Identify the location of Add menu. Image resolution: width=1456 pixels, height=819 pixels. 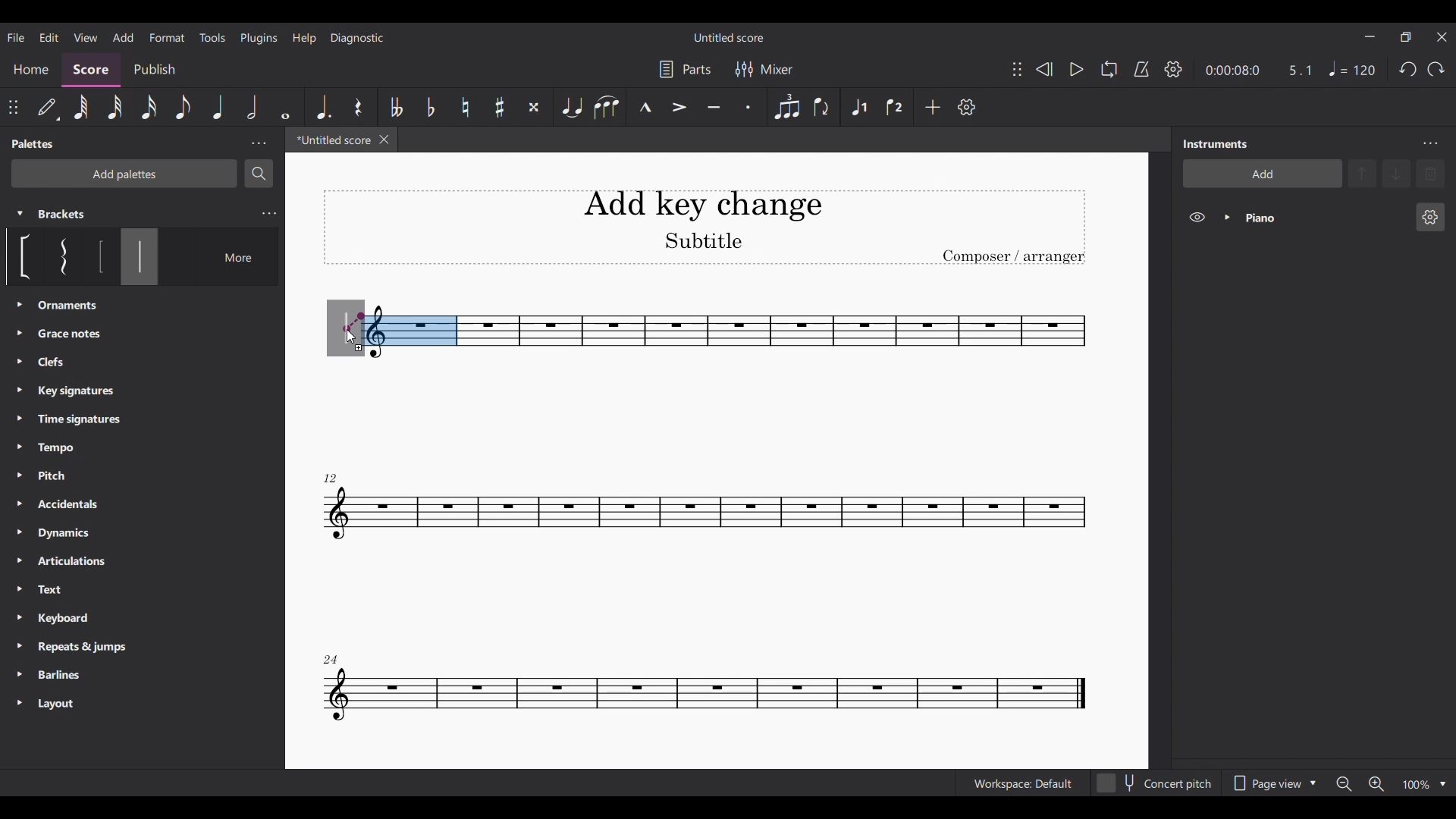
(122, 37).